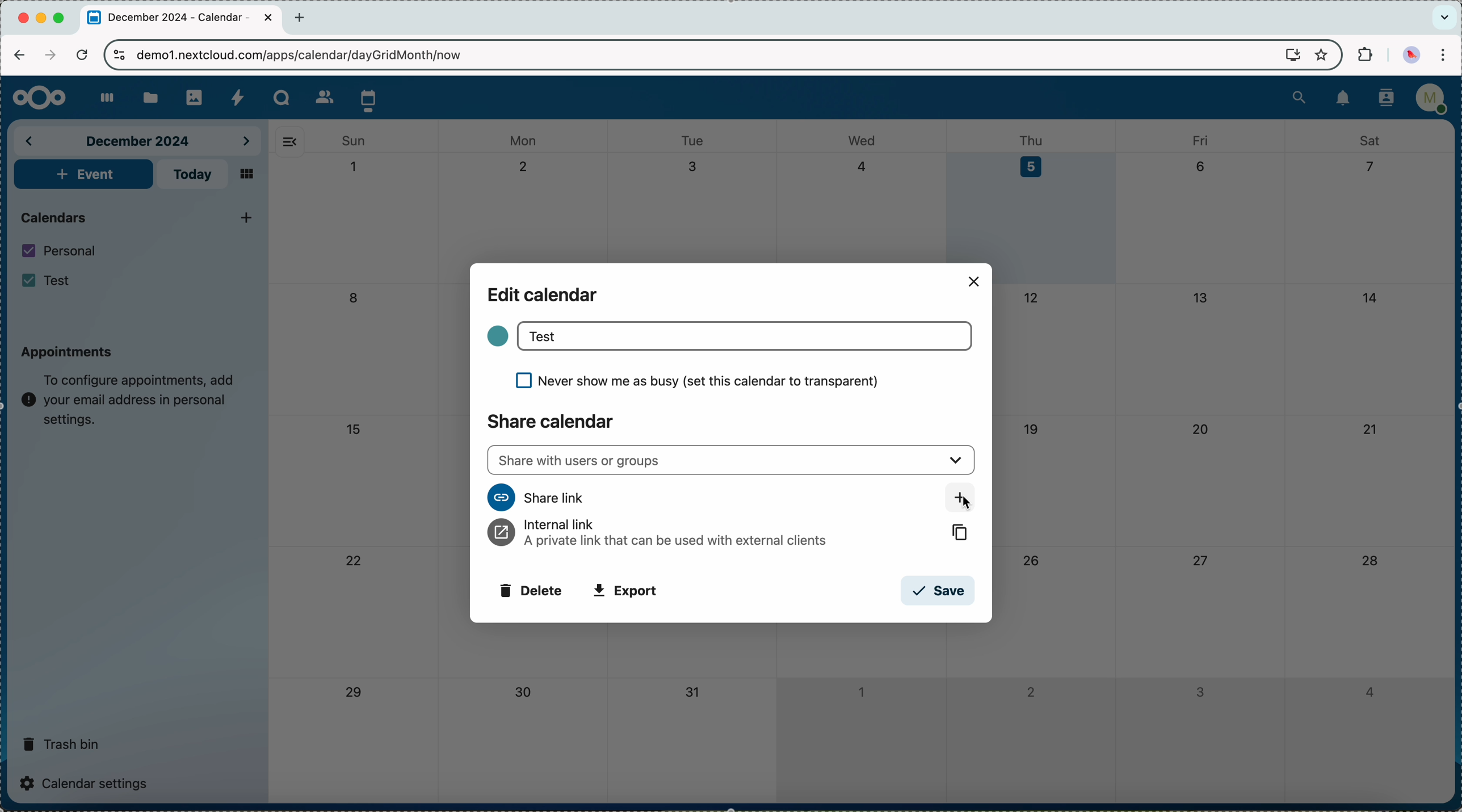 The image size is (1462, 812). I want to click on close Chrome, so click(23, 19).